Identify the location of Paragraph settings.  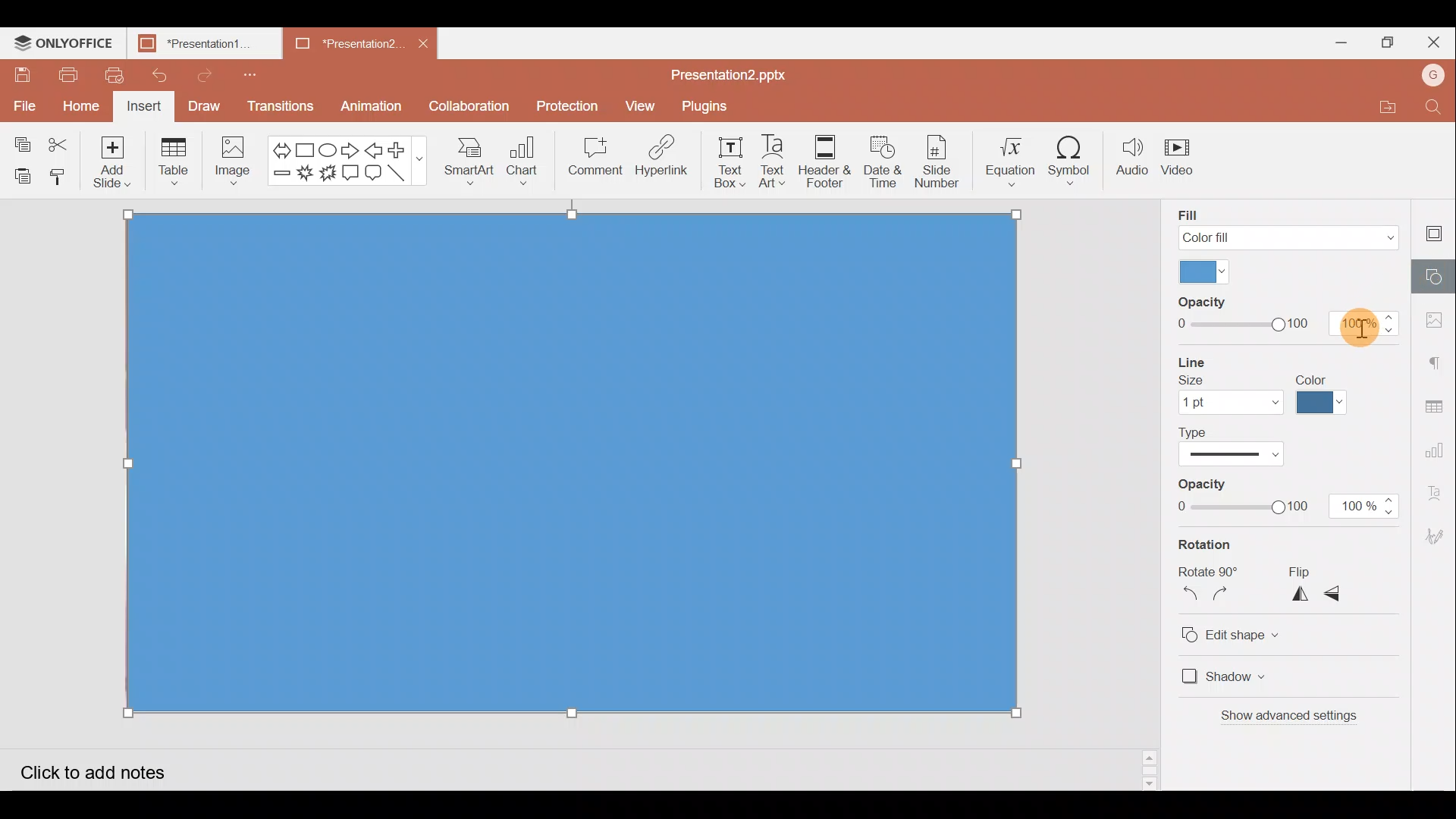
(1441, 357).